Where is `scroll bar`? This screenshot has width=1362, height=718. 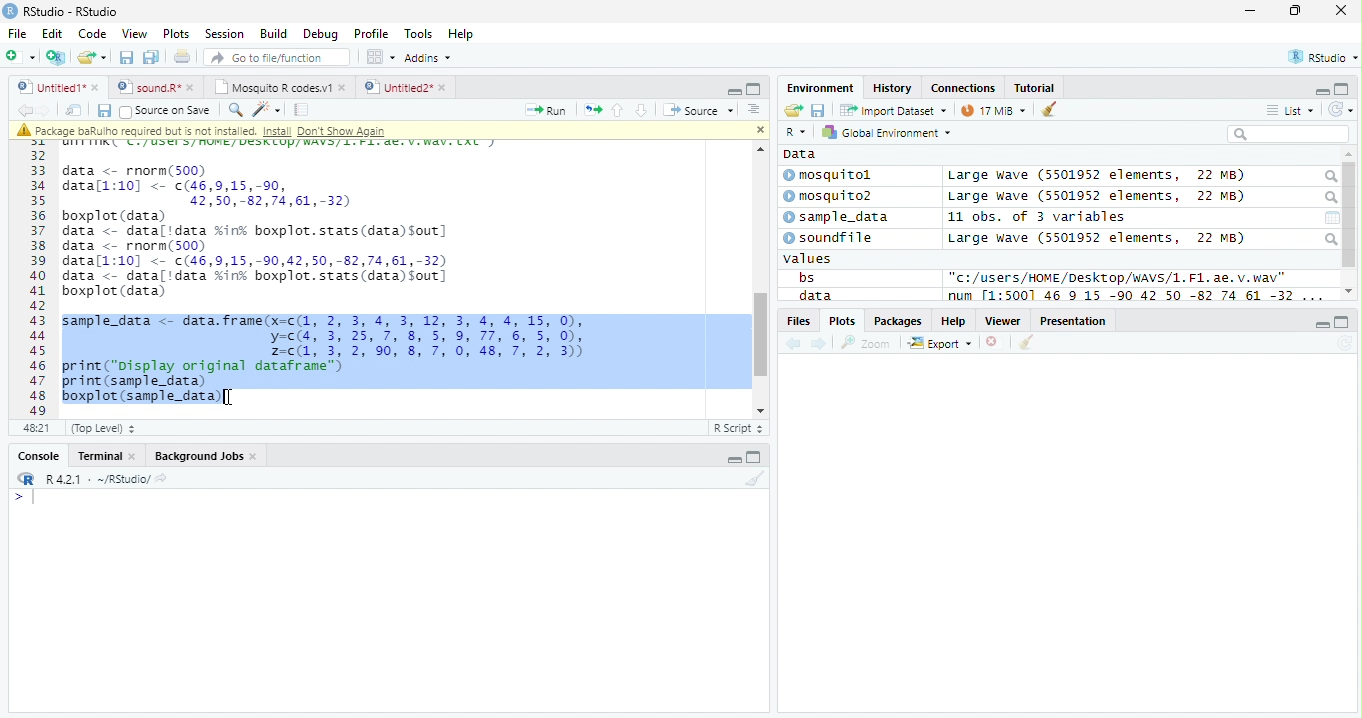 scroll bar is located at coordinates (1350, 215).